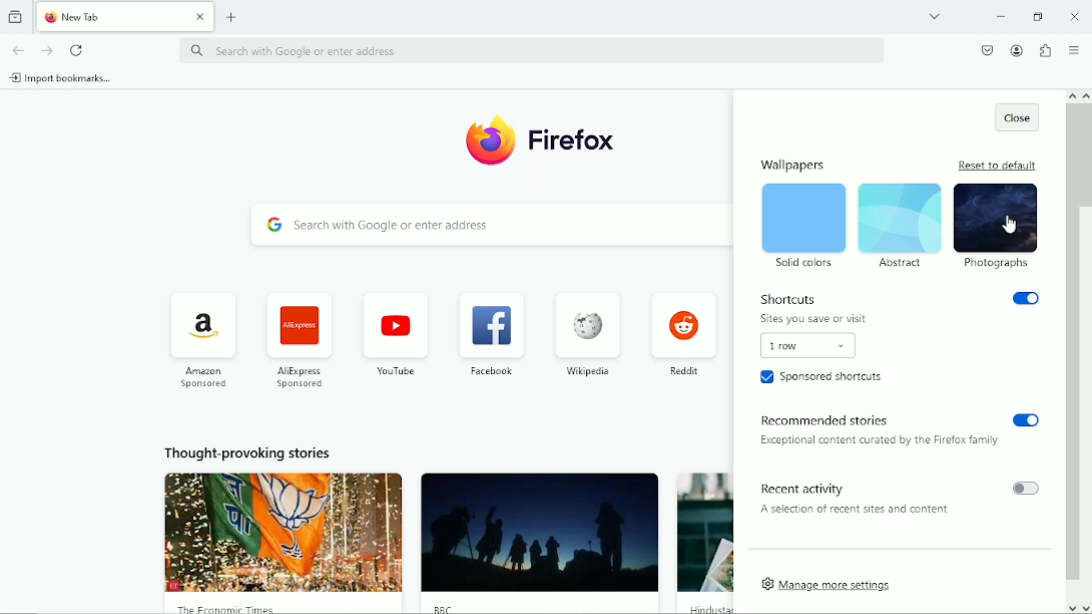  Describe the element at coordinates (986, 50) in the screenshot. I see `Save to pocket` at that location.